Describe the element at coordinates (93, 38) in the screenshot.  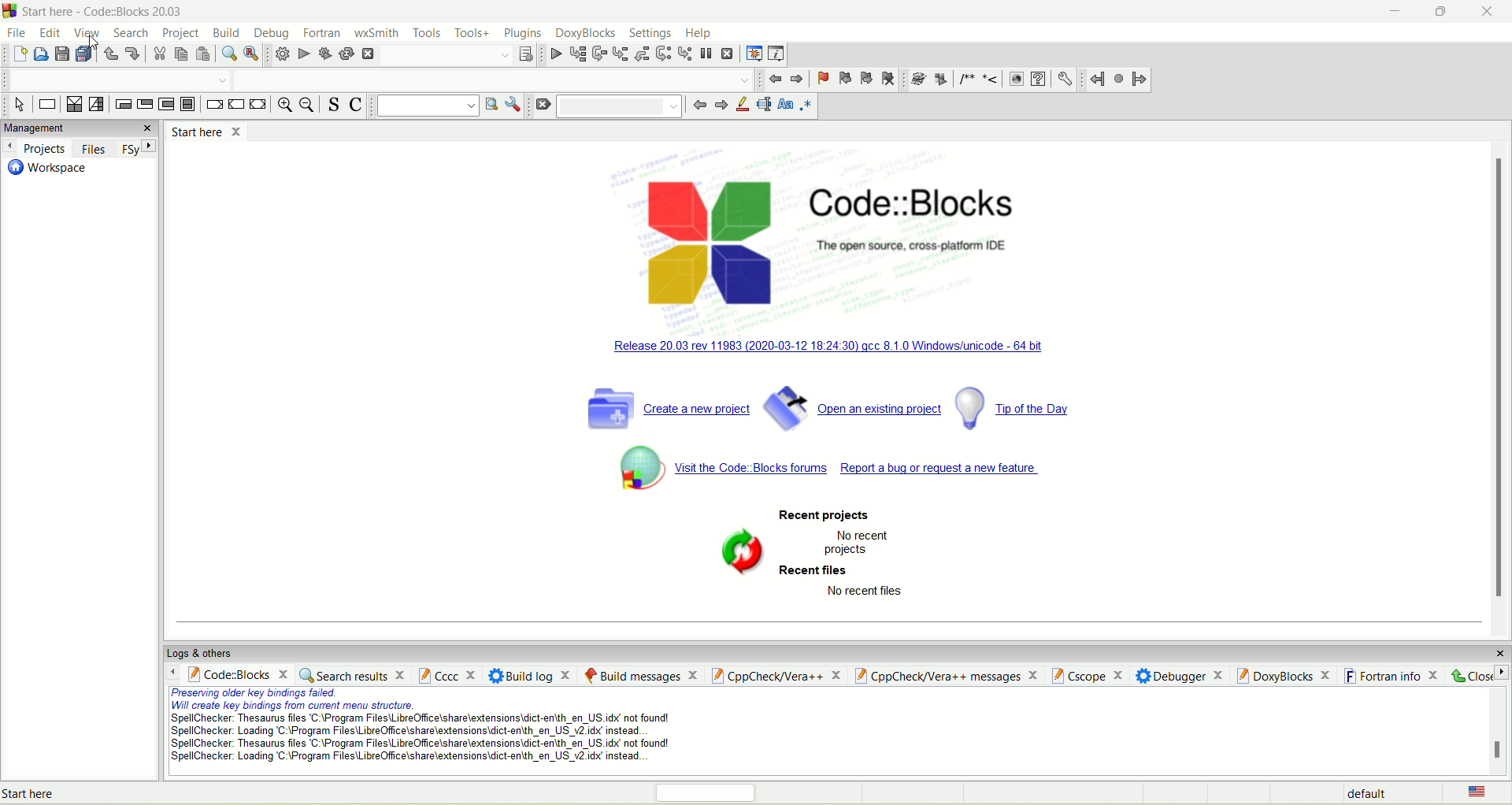
I see `Cursor` at that location.